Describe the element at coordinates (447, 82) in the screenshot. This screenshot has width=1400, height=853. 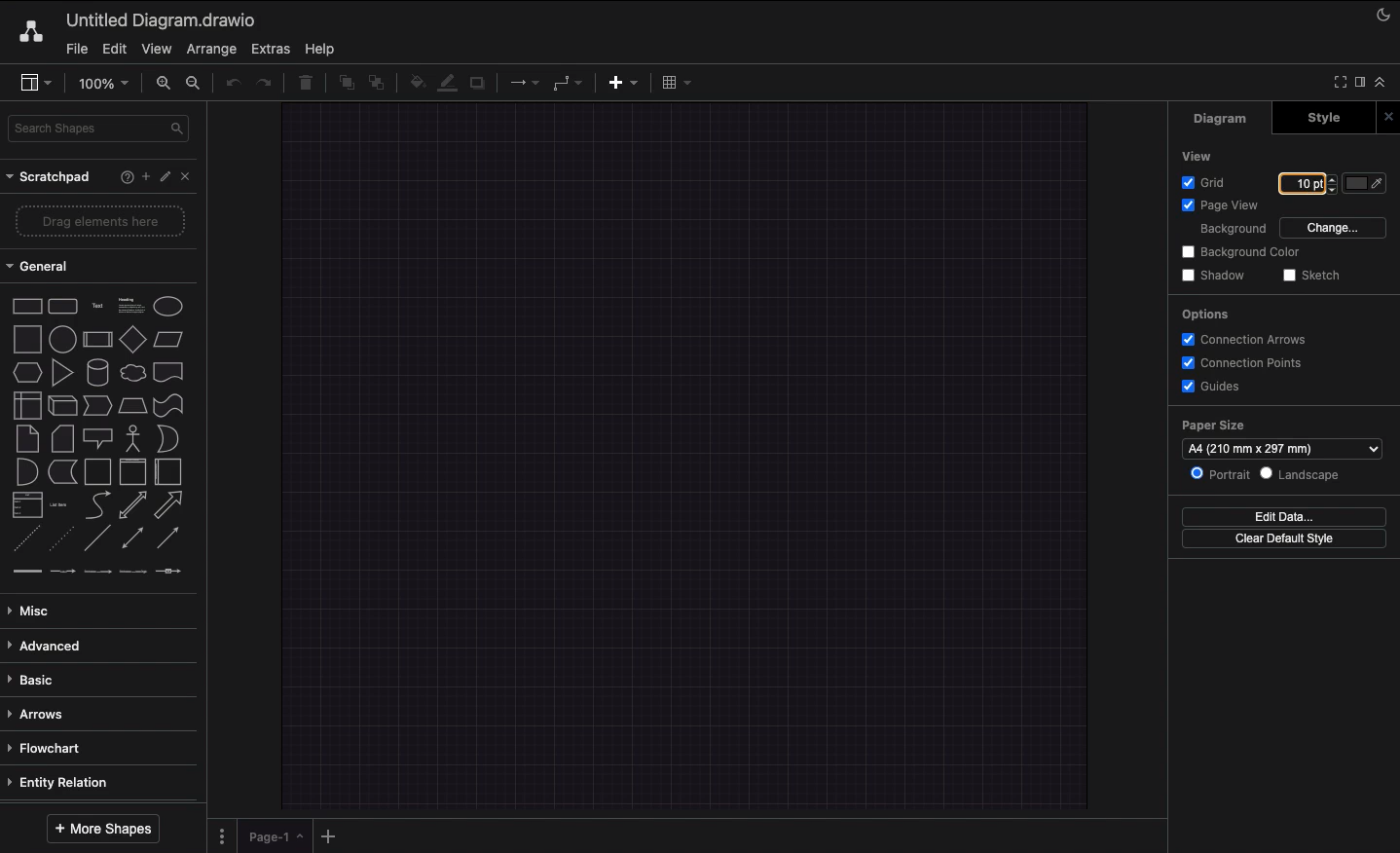
I see `Line color` at that location.